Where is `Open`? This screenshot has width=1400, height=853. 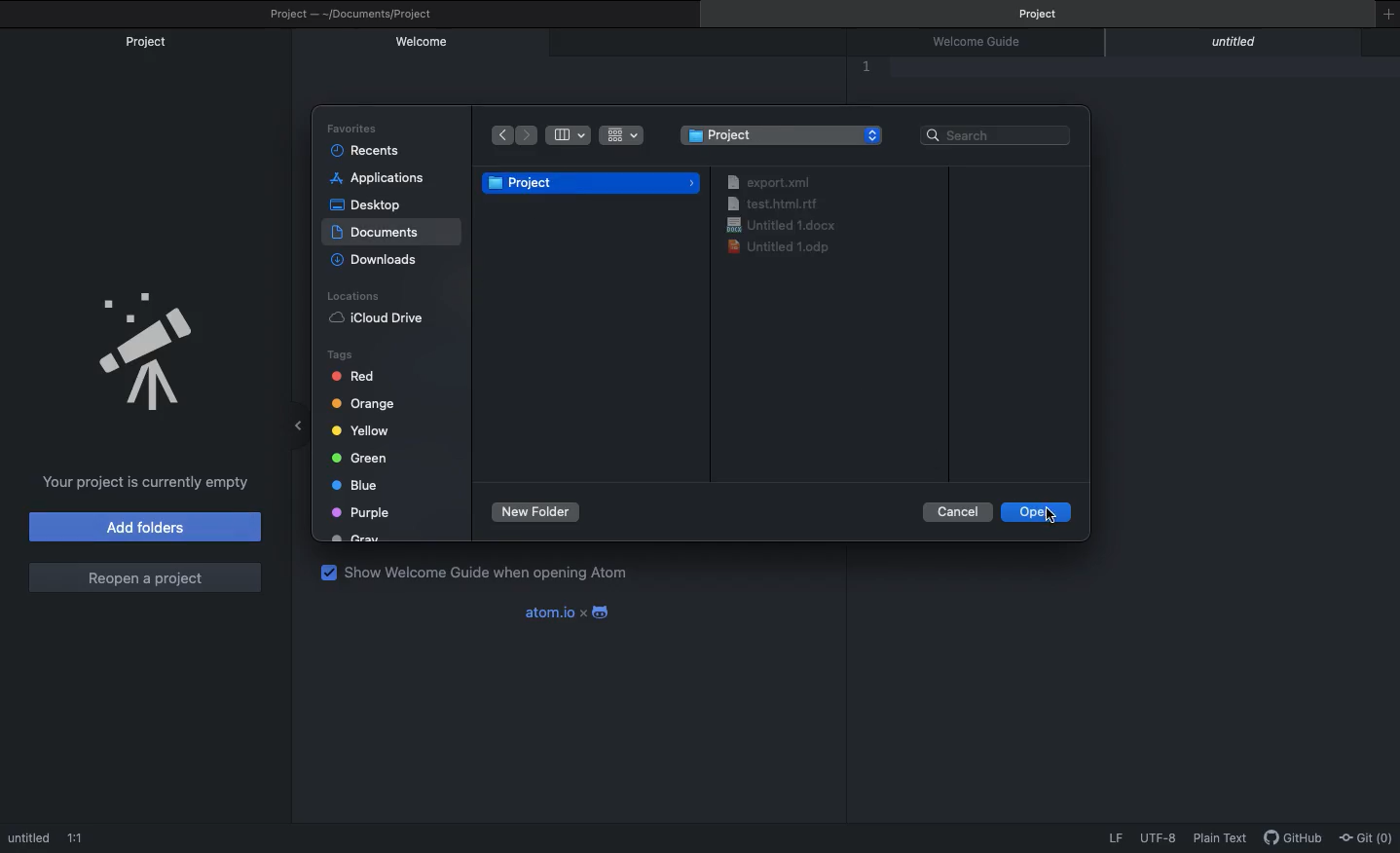 Open is located at coordinates (1041, 512).